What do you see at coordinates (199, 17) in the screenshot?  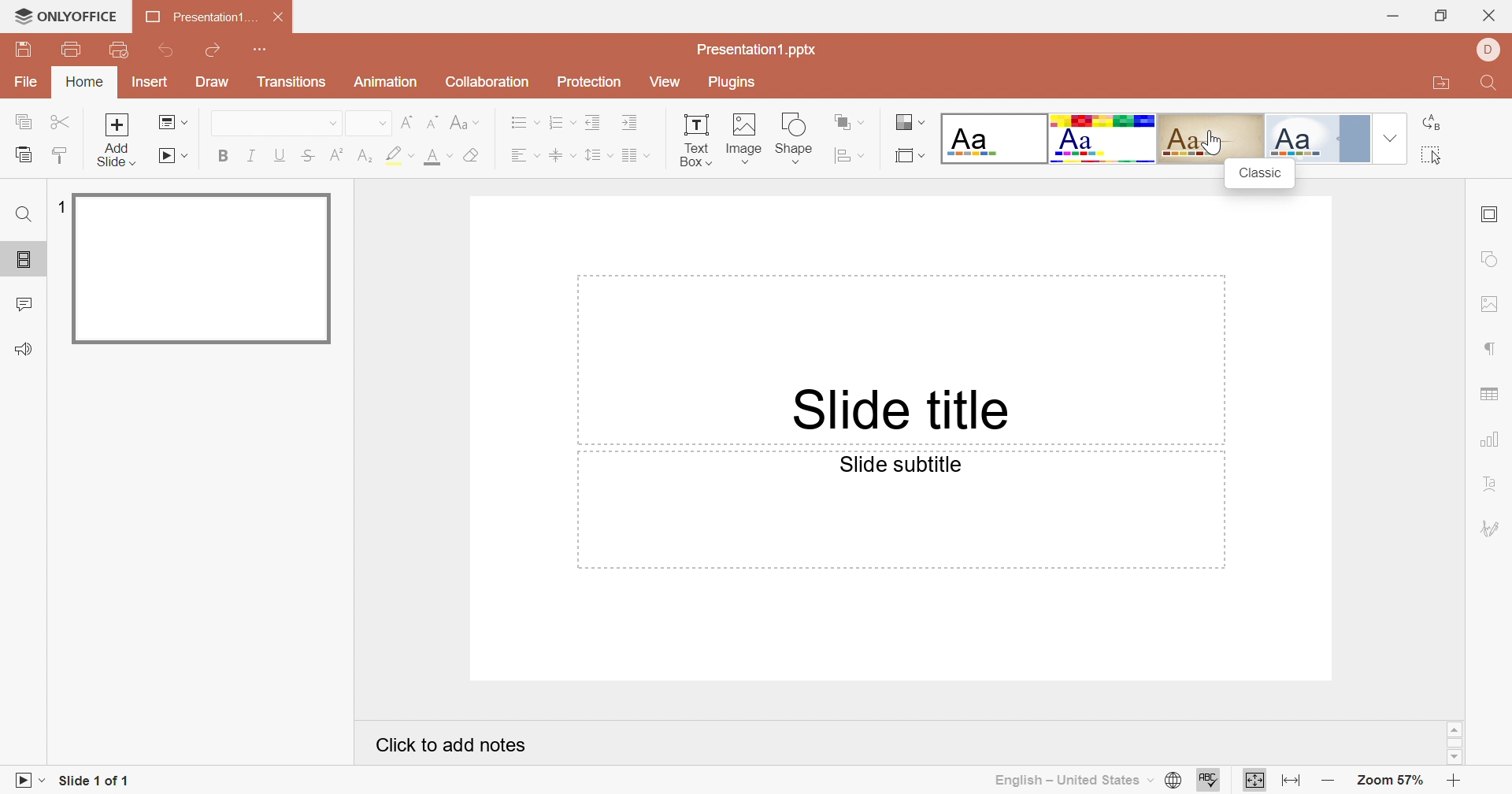 I see `Presentation1...` at bounding box center [199, 17].